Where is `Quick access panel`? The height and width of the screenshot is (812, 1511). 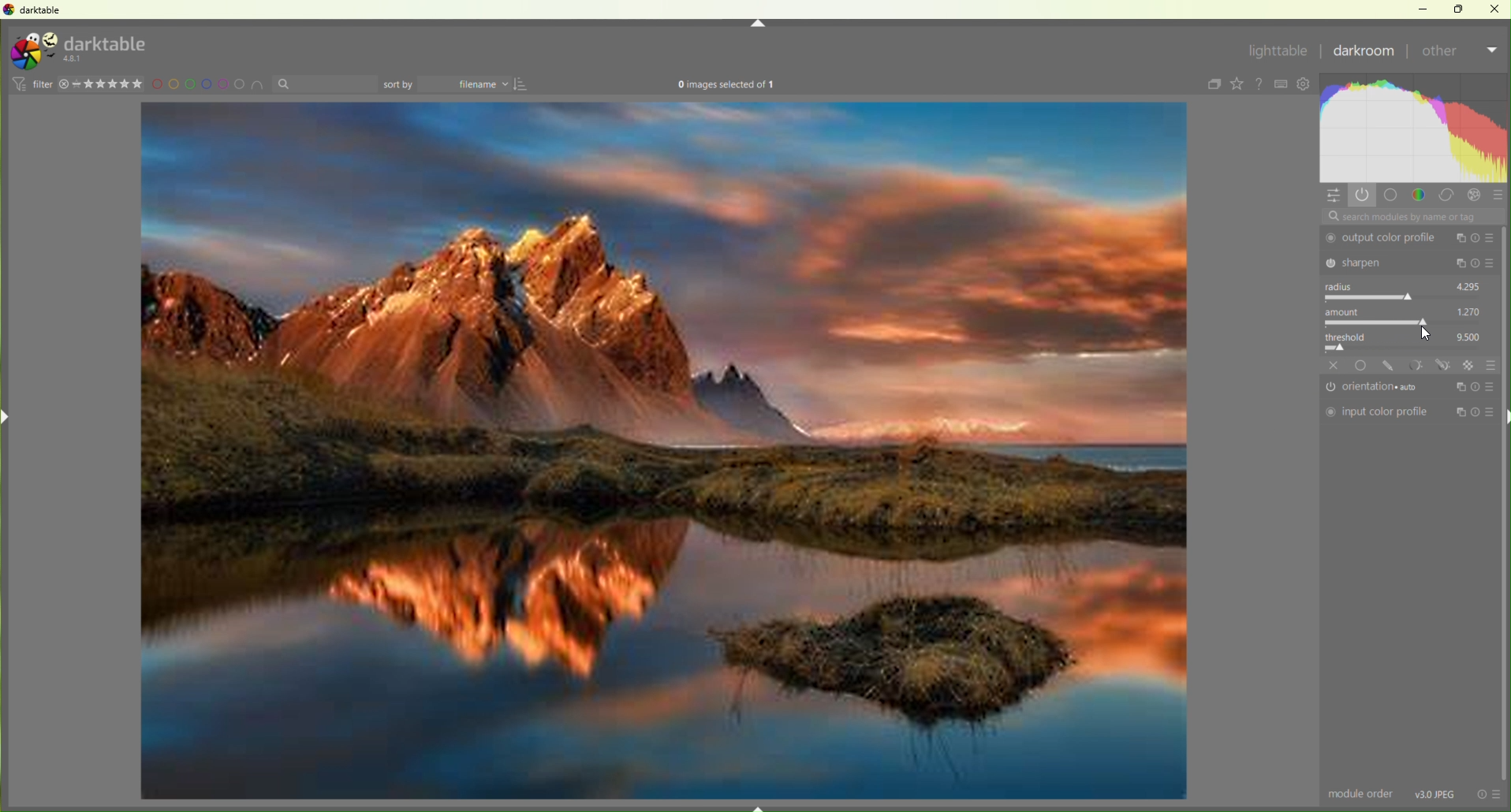 Quick access panel is located at coordinates (1334, 196).